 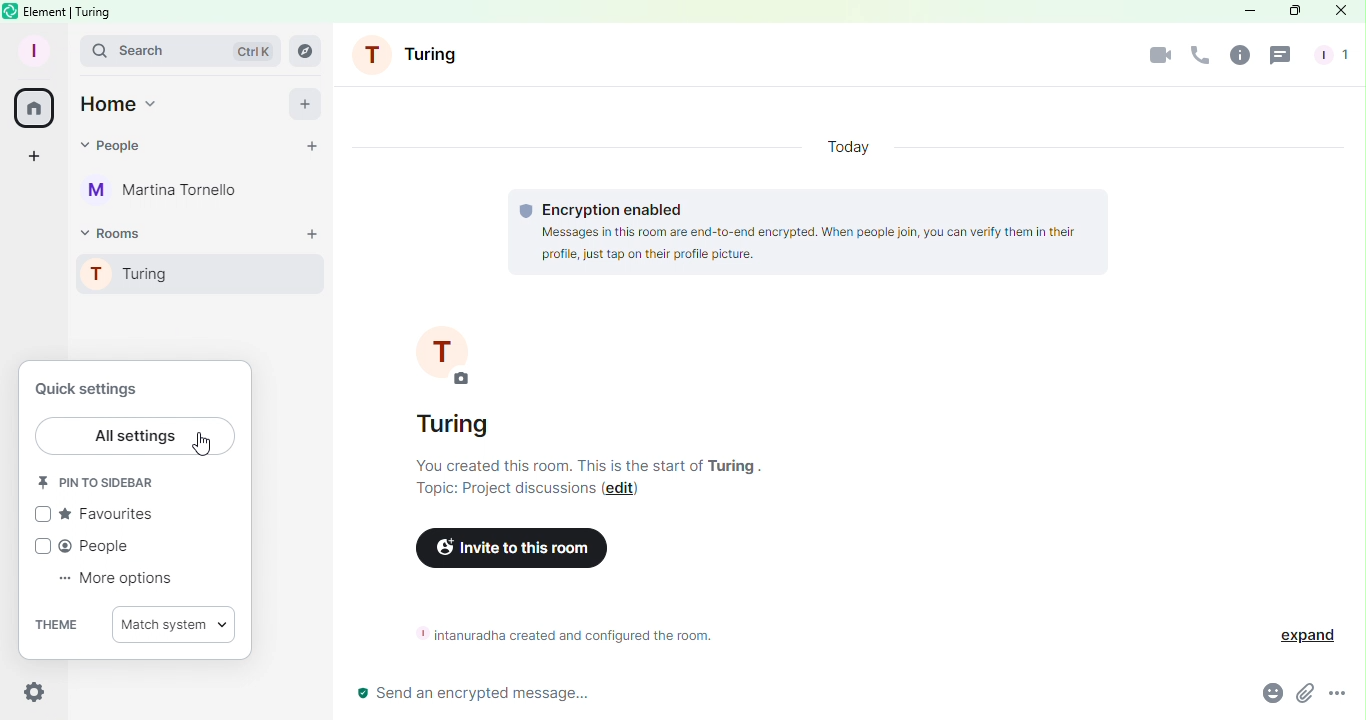 I want to click on More Options, so click(x=1345, y=696).